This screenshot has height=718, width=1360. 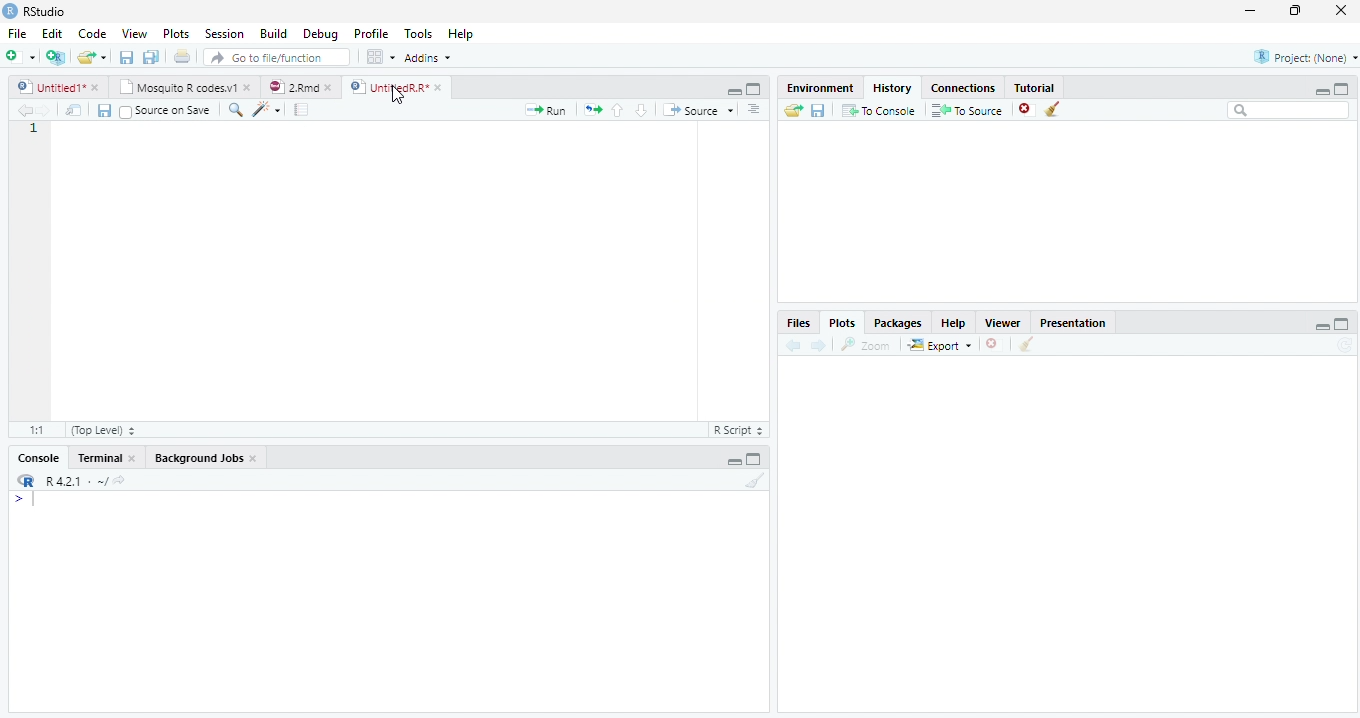 What do you see at coordinates (842, 322) in the screenshot?
I see `Plots` at bounding box center [842, 322].